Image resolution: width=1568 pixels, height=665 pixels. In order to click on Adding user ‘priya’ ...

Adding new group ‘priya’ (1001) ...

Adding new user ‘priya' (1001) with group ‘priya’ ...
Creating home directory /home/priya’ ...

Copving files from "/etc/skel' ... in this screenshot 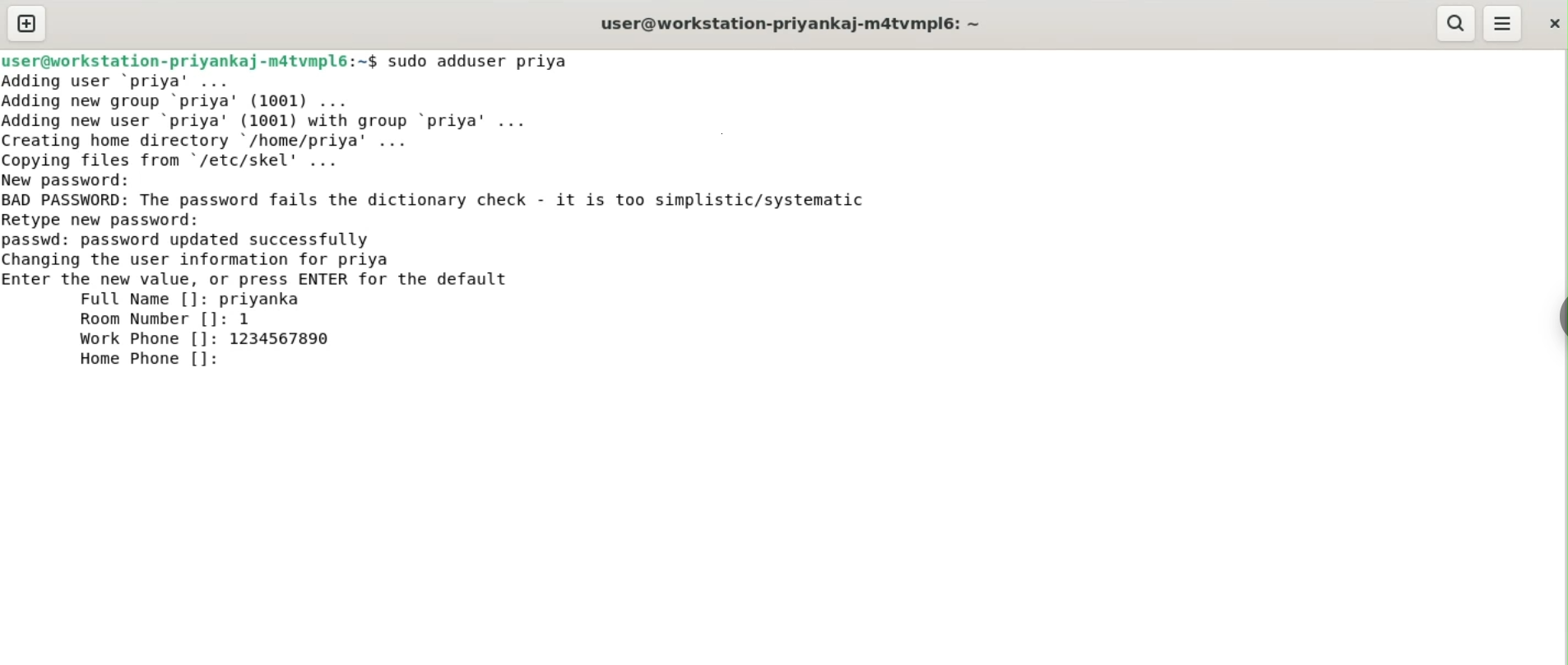, I will do `click(318, 119)`.